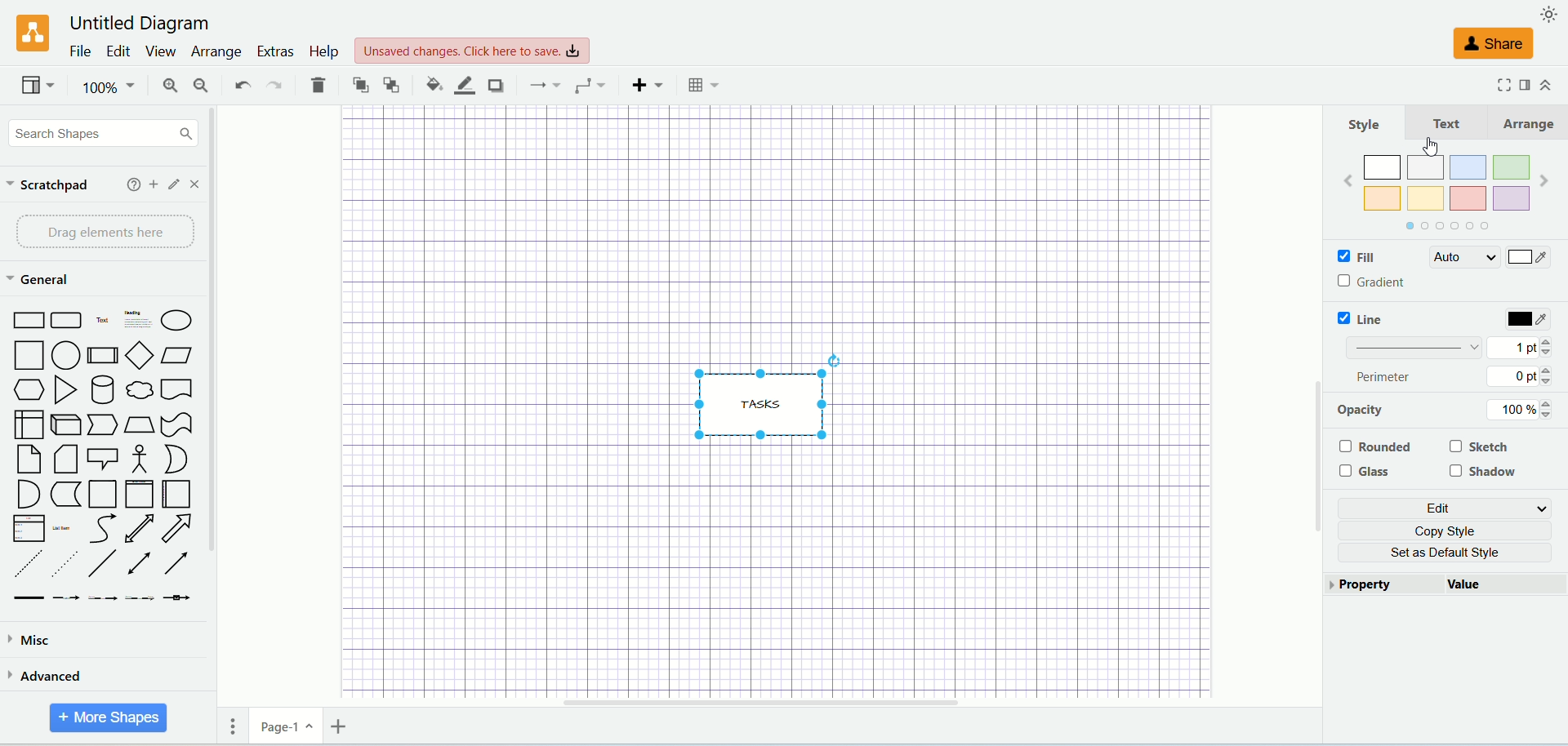 The image size is (1568, 746). Describe the element at coordinates (28, 33) in the screenshot. I see `logo` at that location.